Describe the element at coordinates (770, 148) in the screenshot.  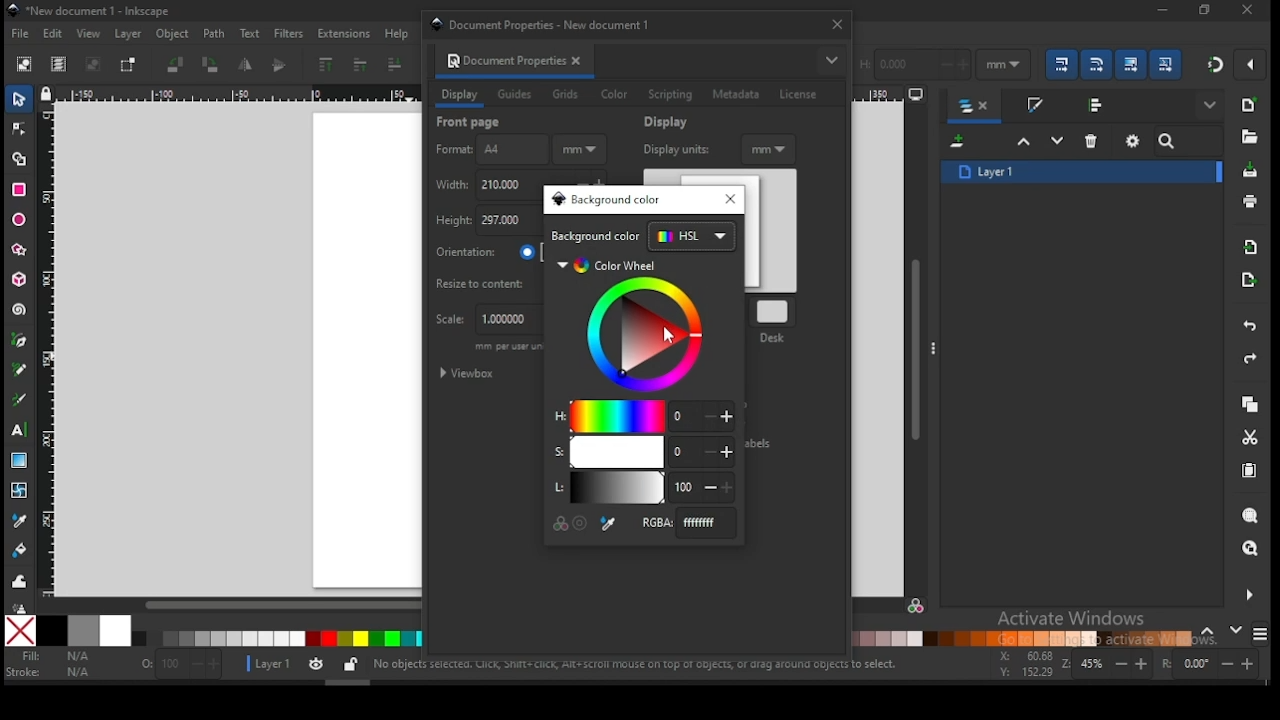
I see `mm` at that location.